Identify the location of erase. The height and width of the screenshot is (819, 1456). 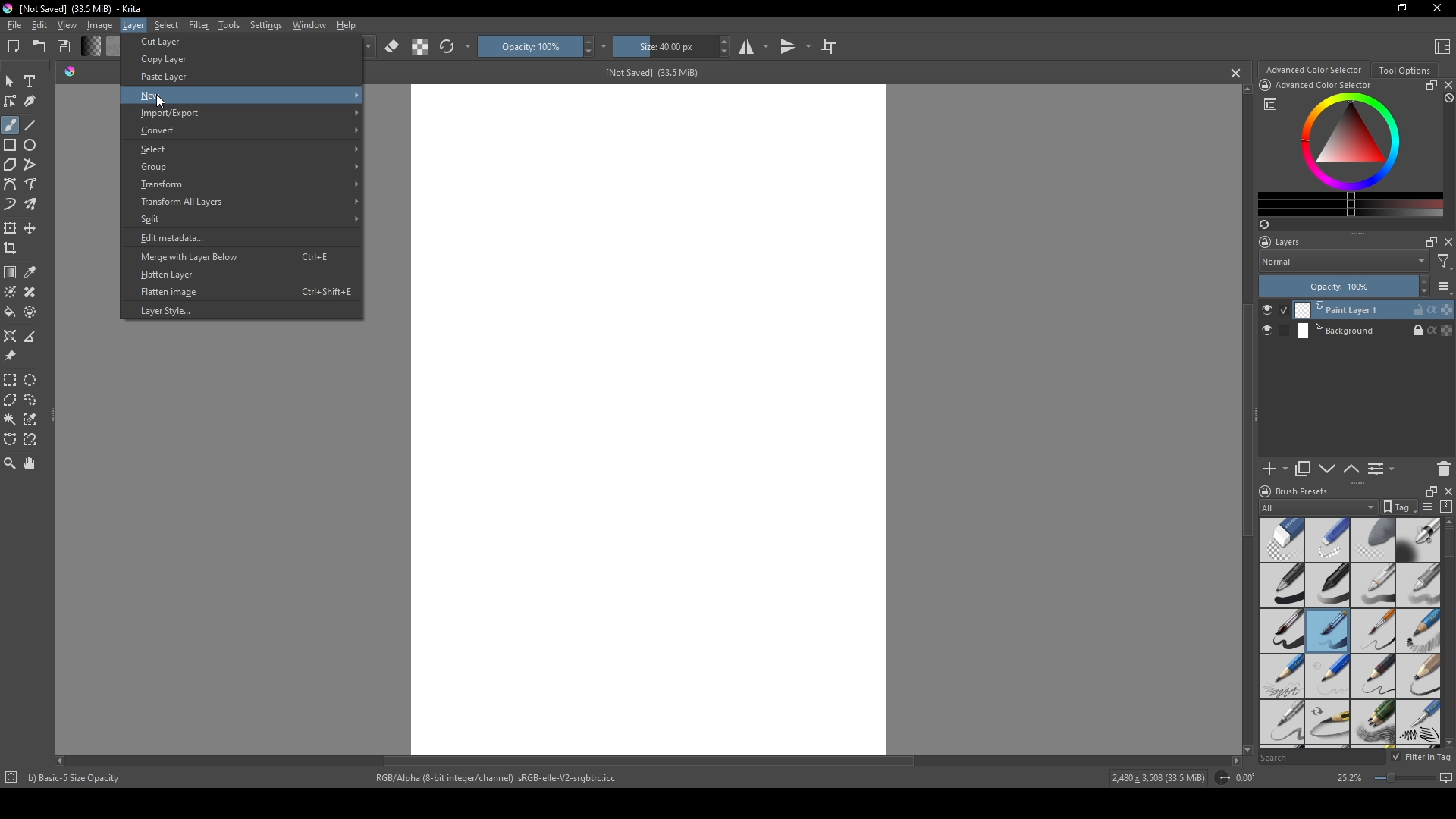
(393, 47).